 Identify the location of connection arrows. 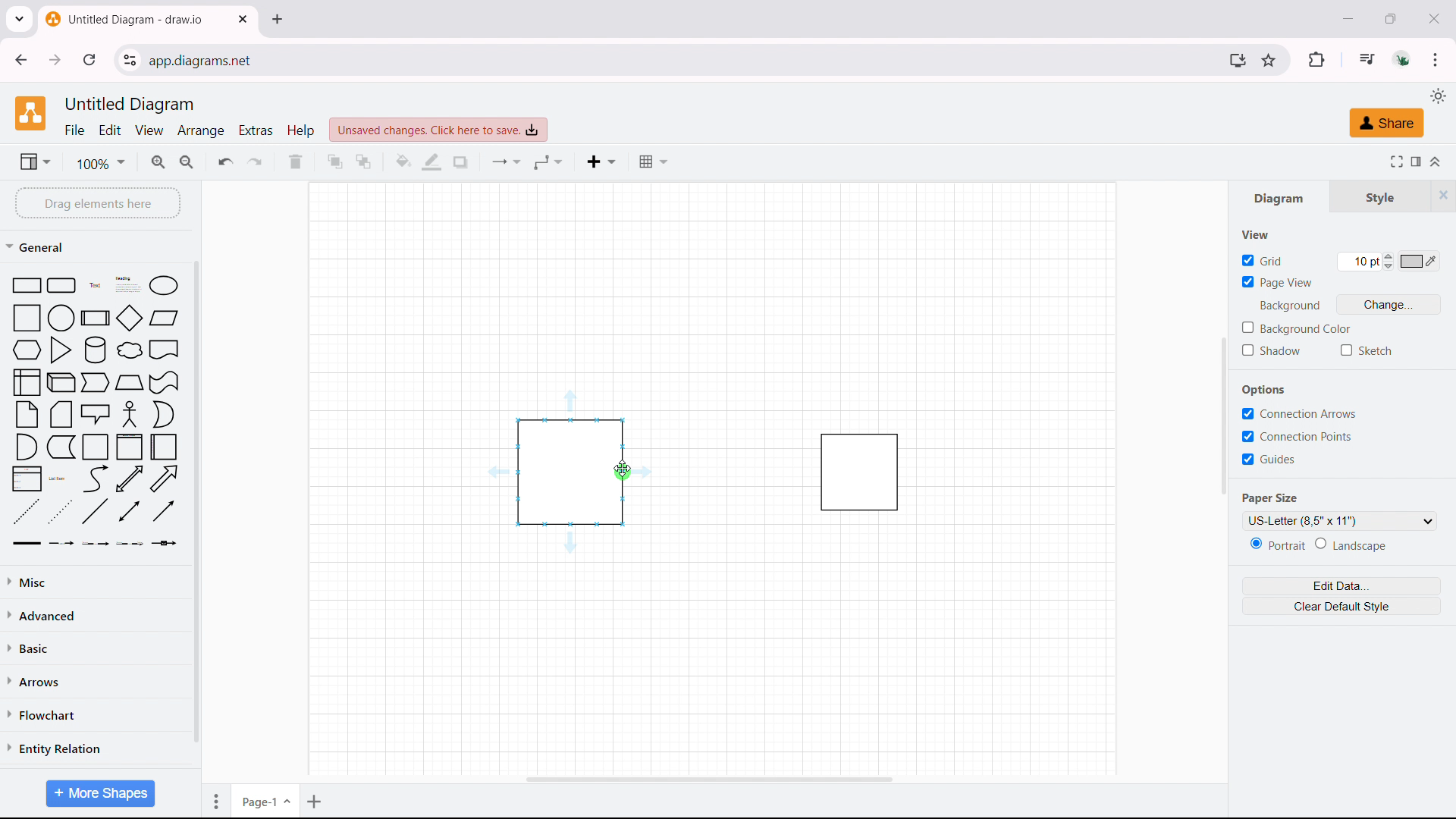
(1300, 413).